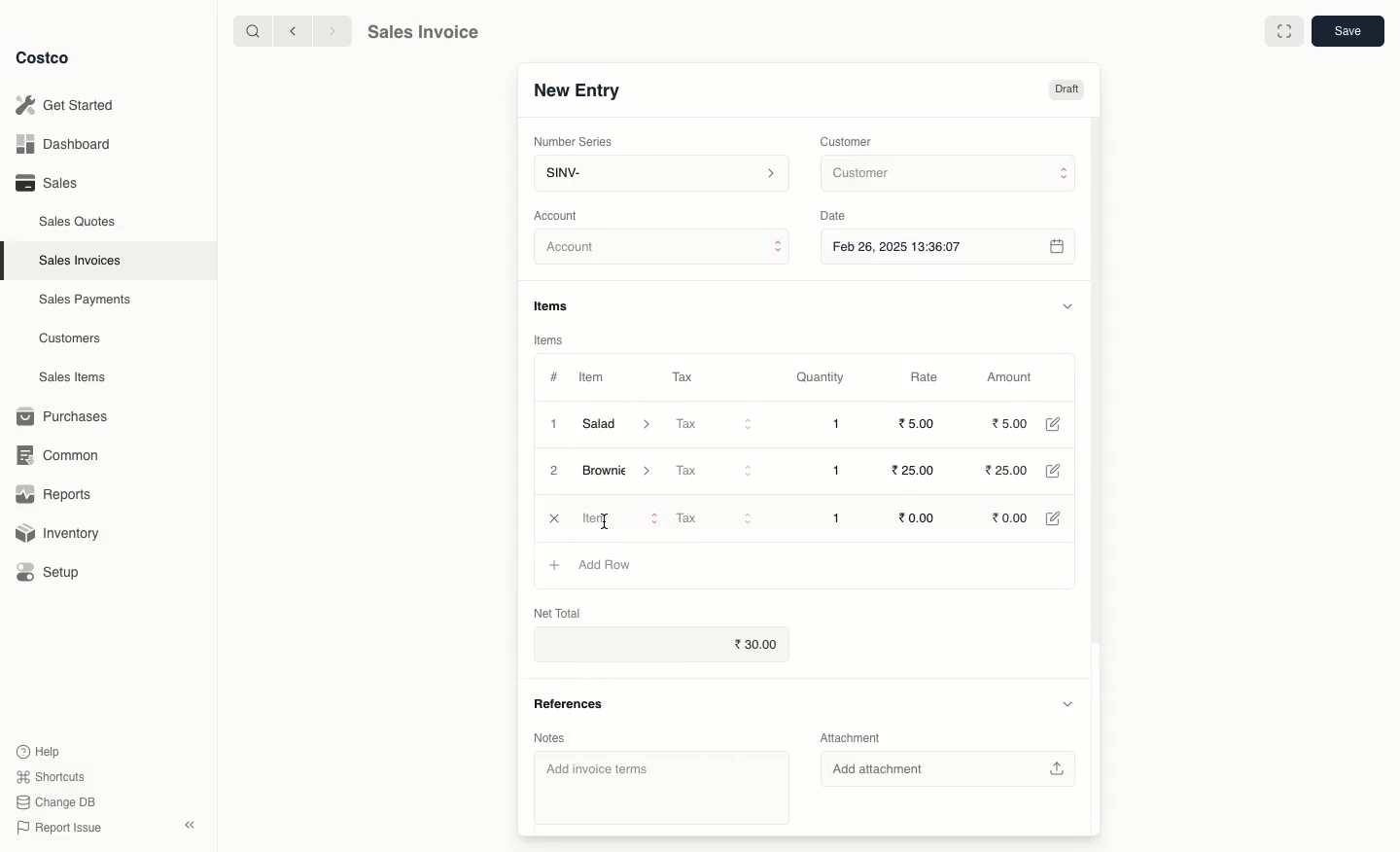  I want to click on 1, so click(834, 520).